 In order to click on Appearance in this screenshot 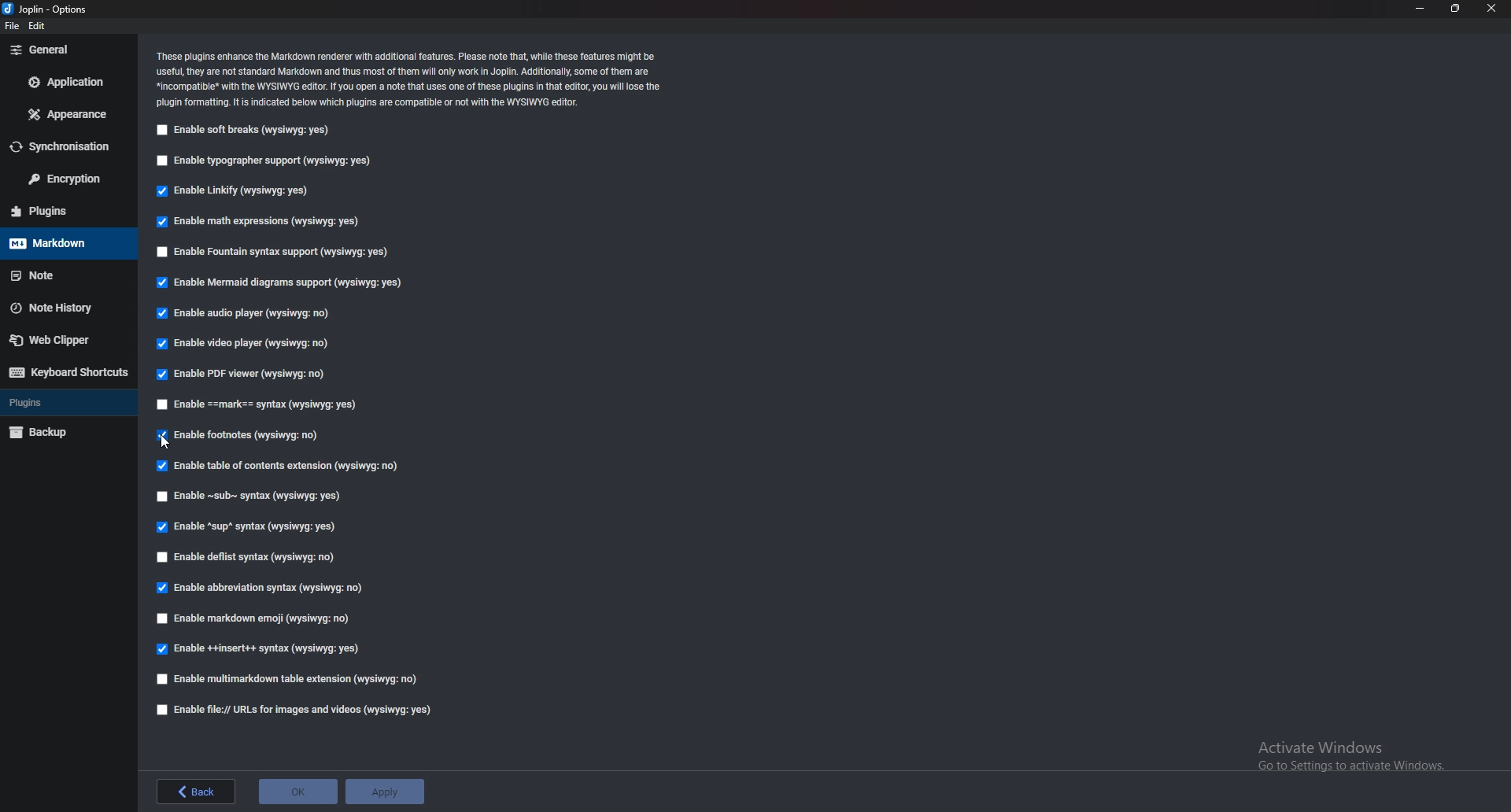, I will do `click(68, 113)`.